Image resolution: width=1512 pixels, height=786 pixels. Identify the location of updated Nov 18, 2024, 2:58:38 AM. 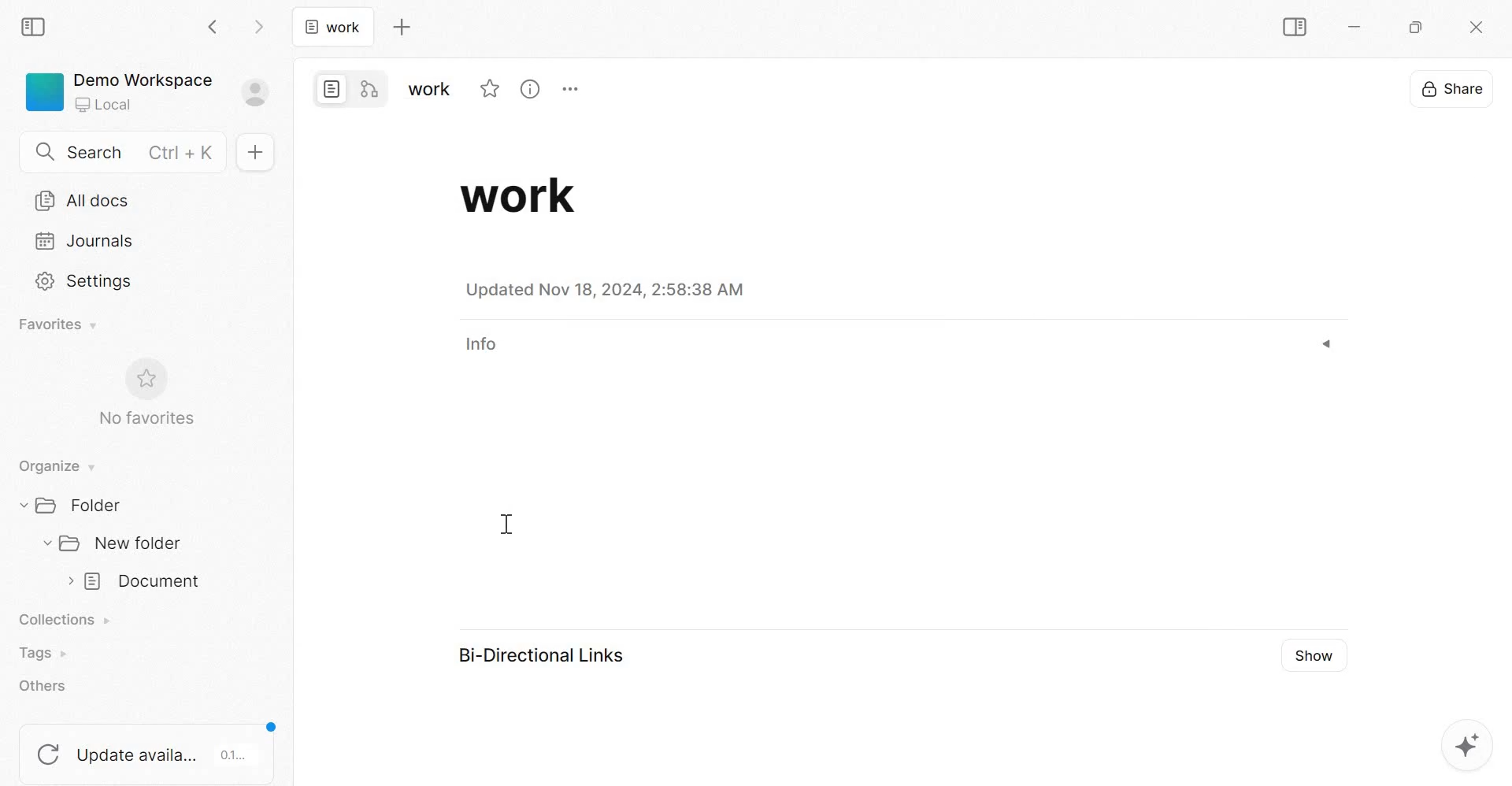
(609, 290).